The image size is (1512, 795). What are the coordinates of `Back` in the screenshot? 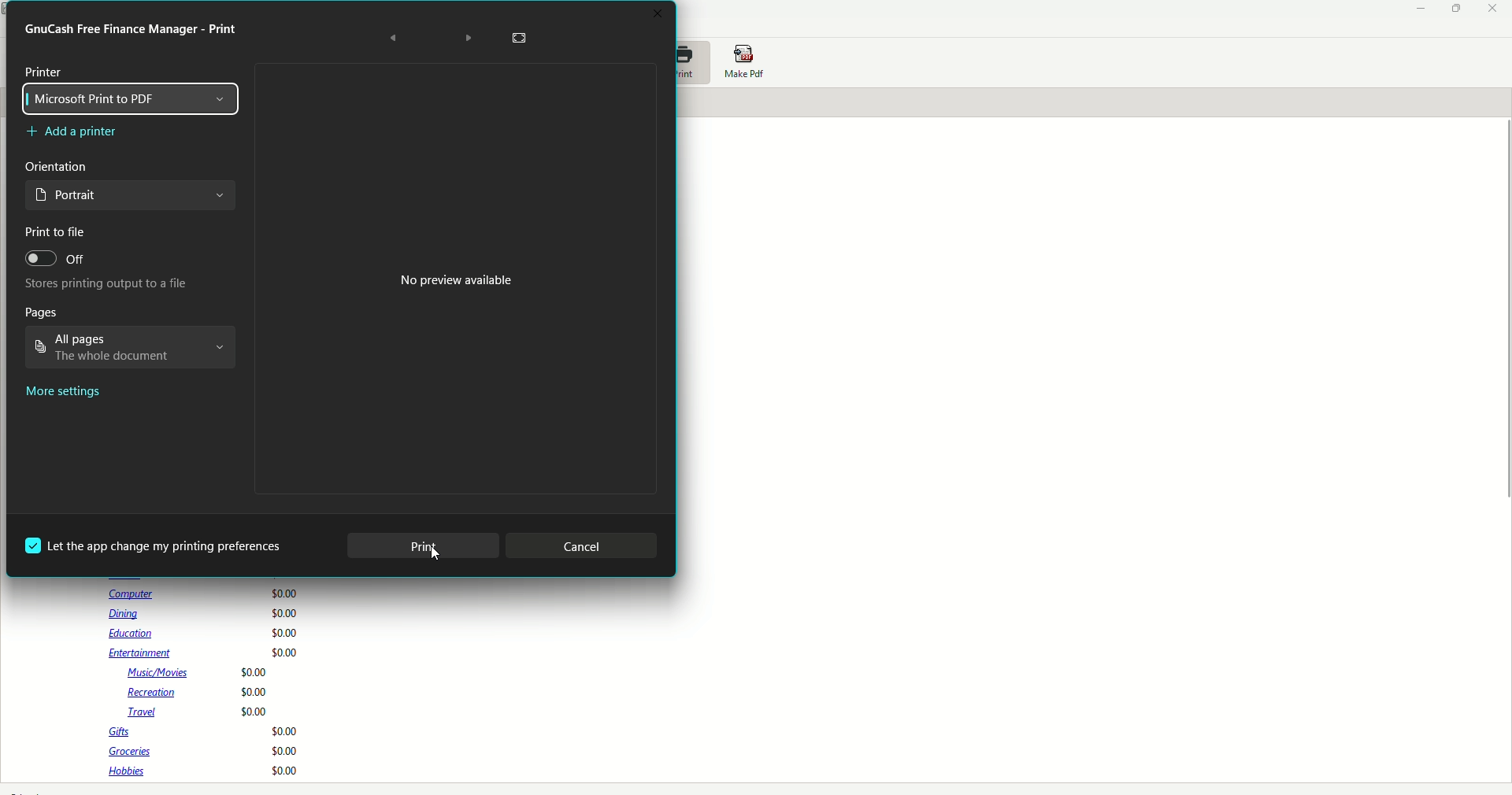 It's located at (393, 38).